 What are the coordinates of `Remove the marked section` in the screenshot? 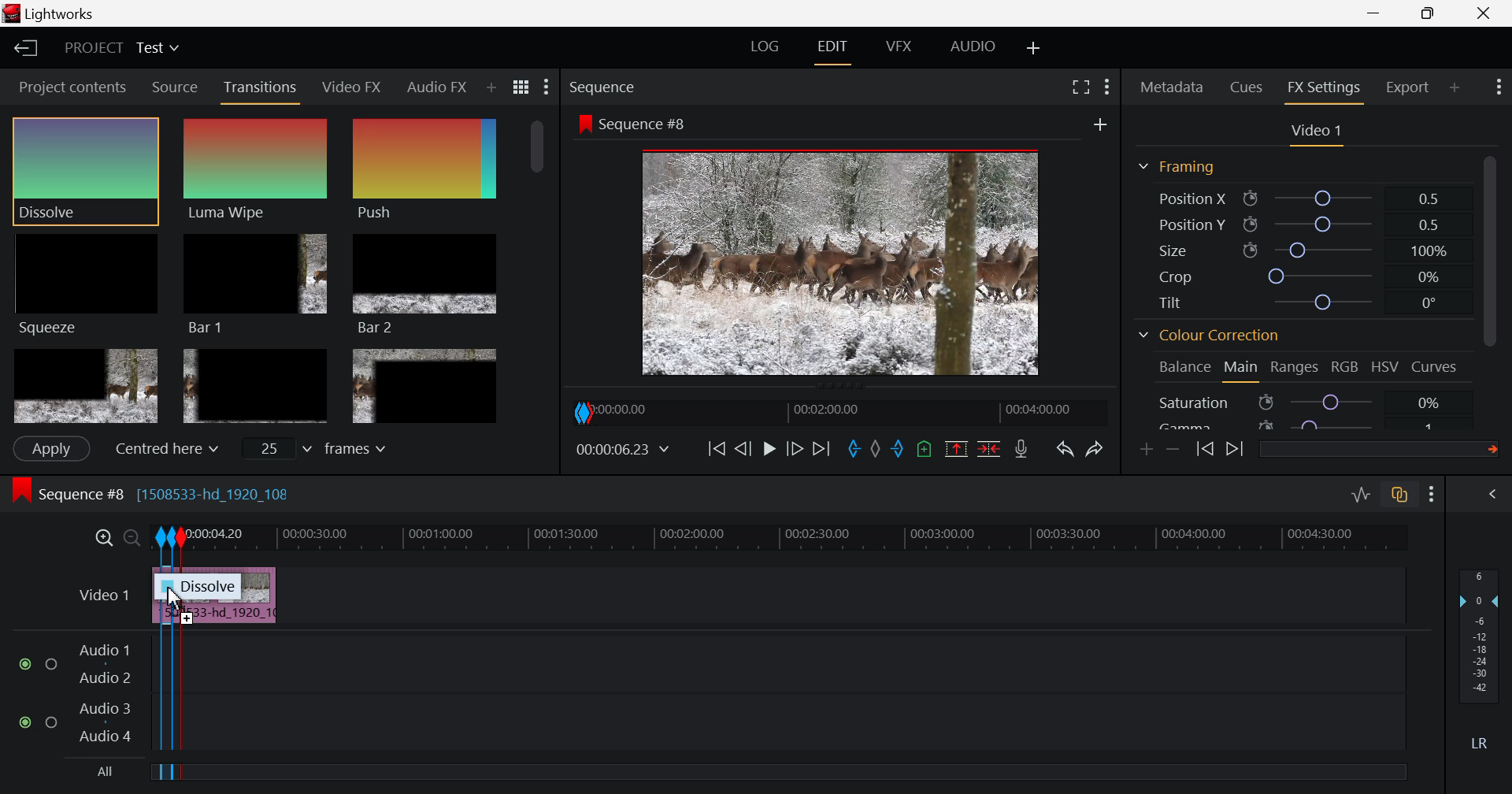 It's located at (956, 447).